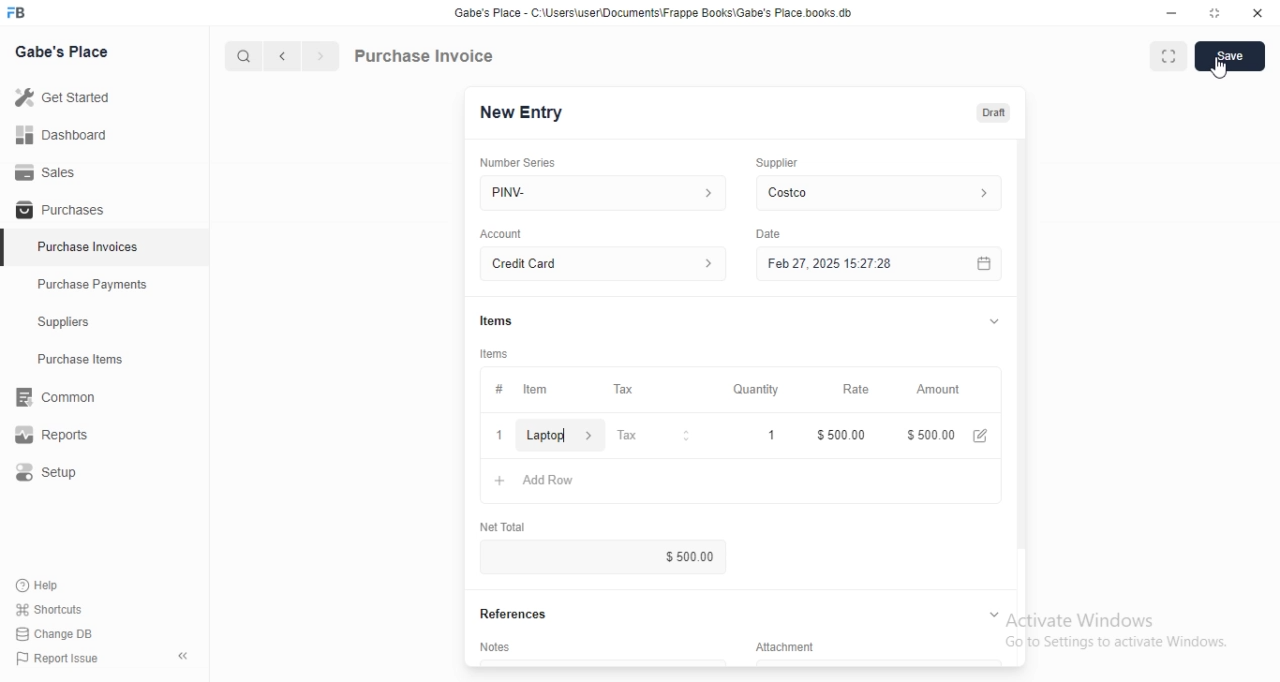 The height and width of the screenshot is (682, 1280). I want to click on Items, so click(496, 321).